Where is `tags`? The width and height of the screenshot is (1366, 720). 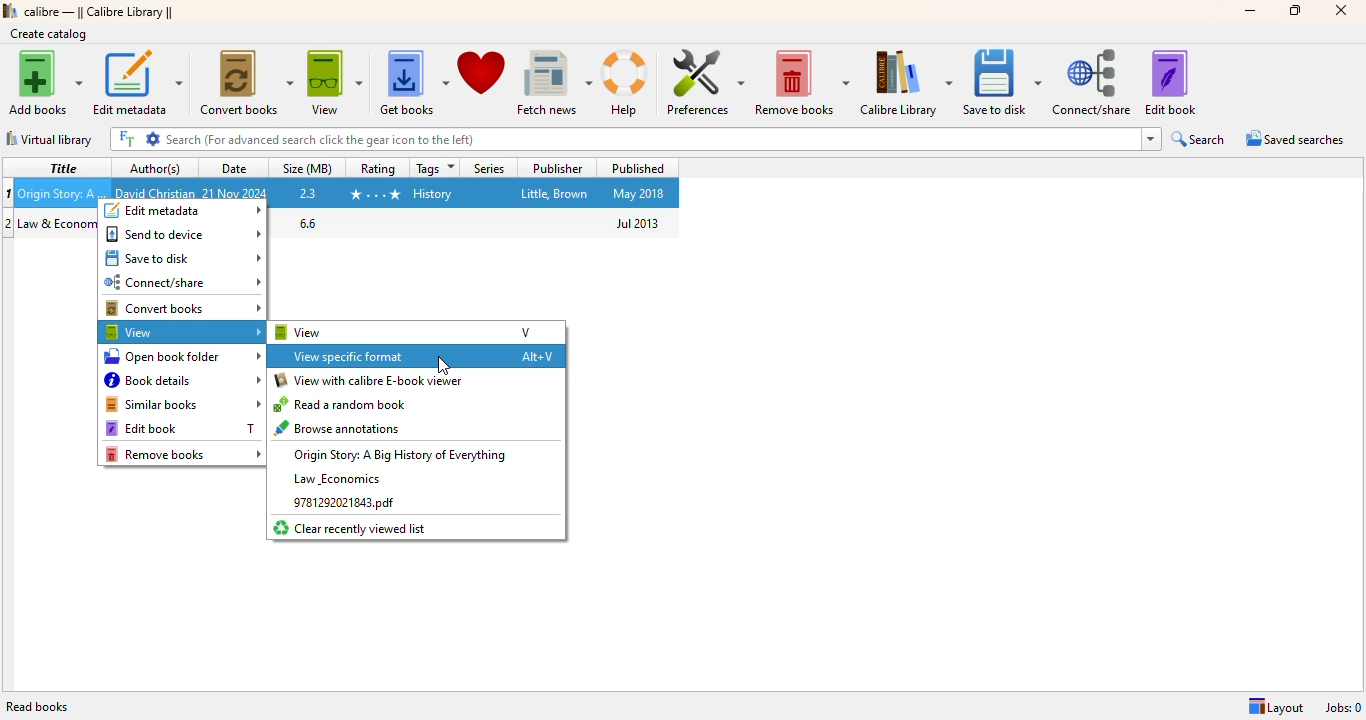 tags is located at coordinates (435, 168).